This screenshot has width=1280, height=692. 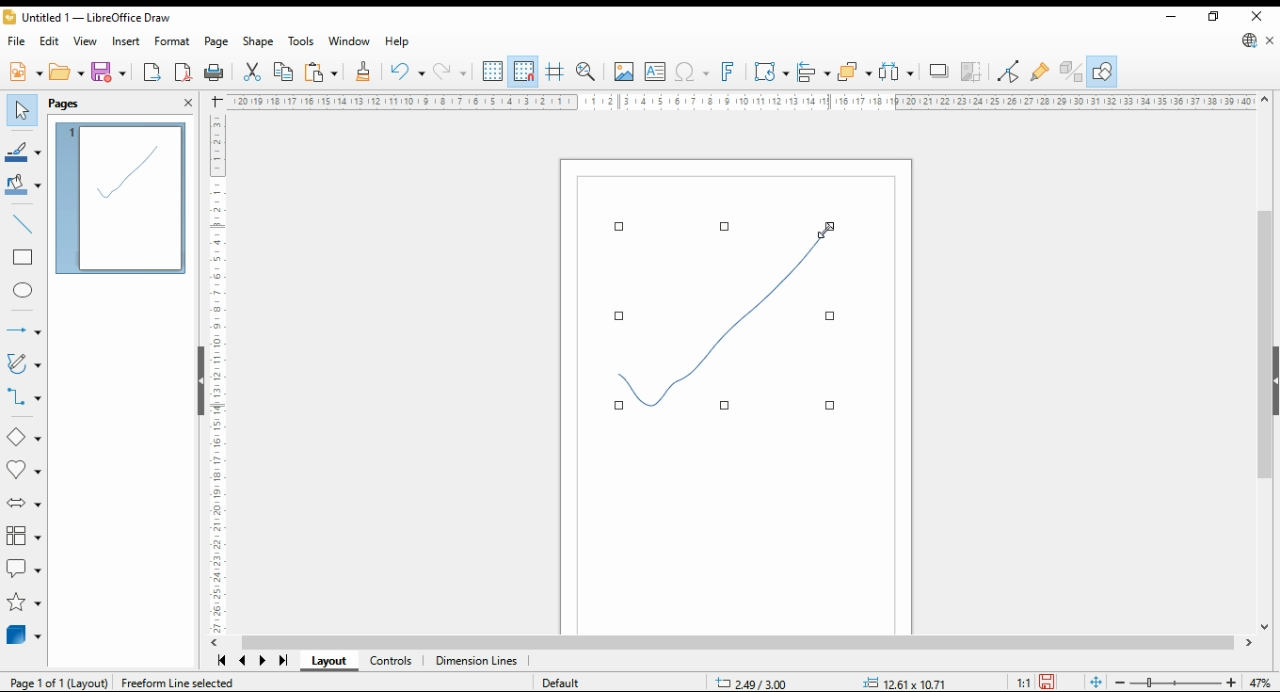 I want to click on fill color, so click(x=24, y=185).